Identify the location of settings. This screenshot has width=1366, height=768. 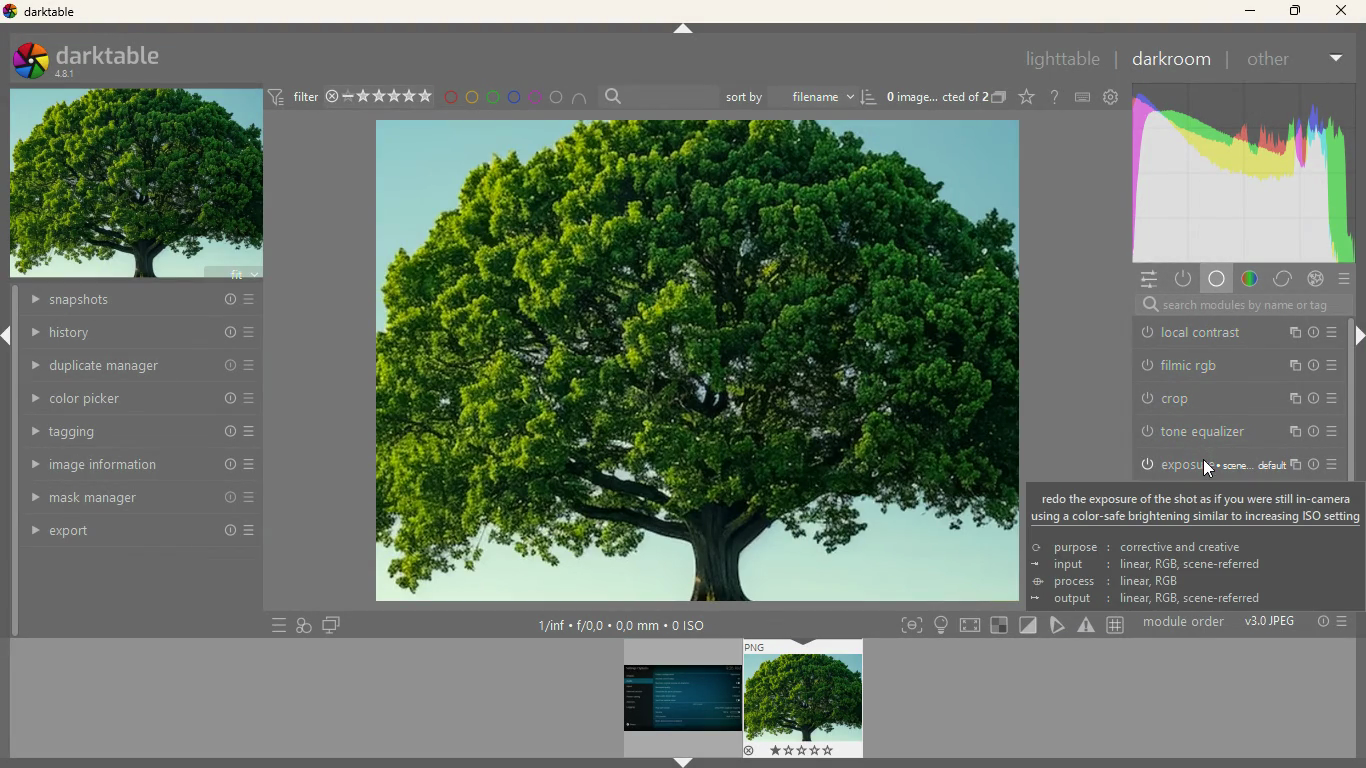
(1110, 97).